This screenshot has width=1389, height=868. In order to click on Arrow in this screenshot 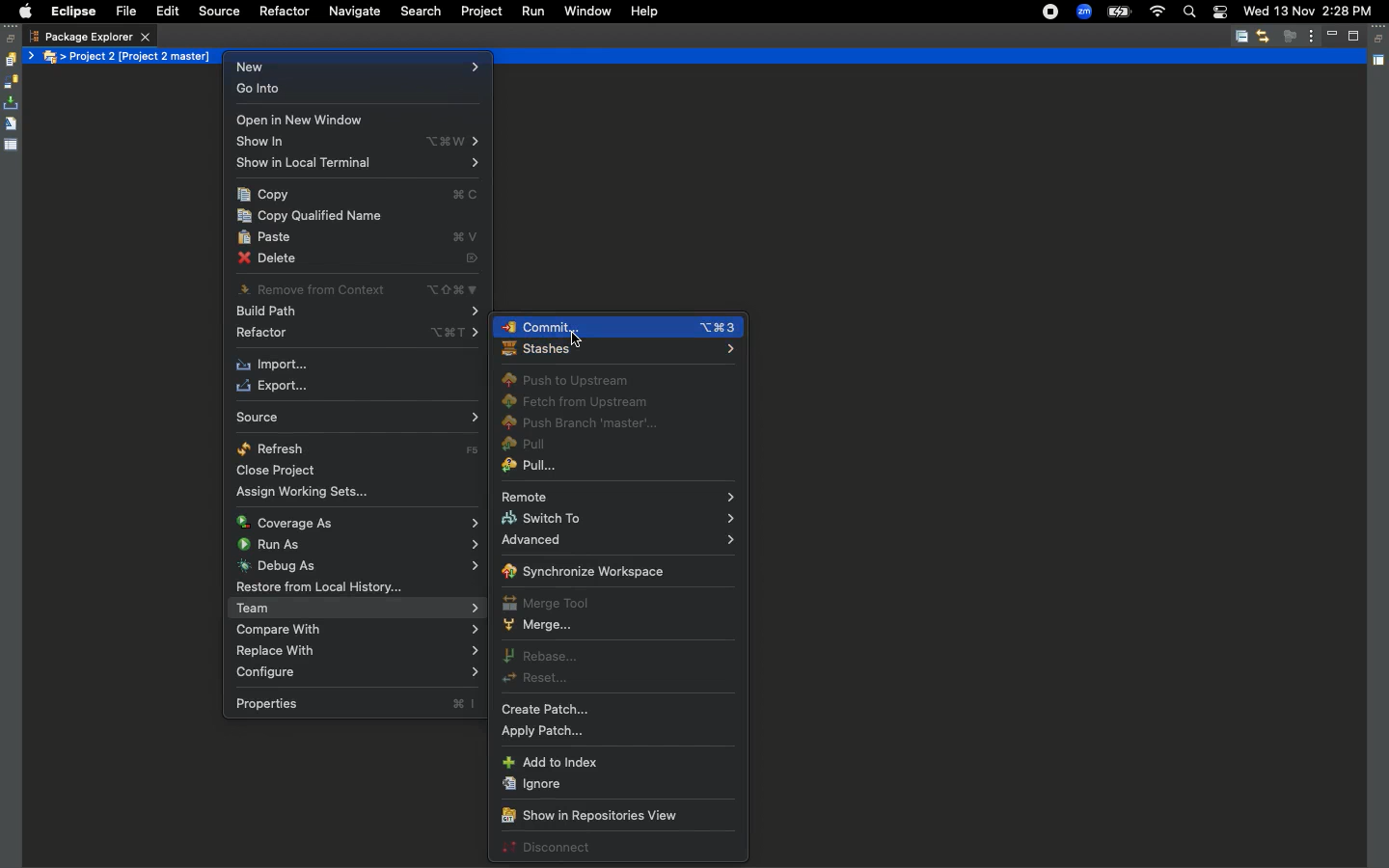, I will do `click(65, 58)`.